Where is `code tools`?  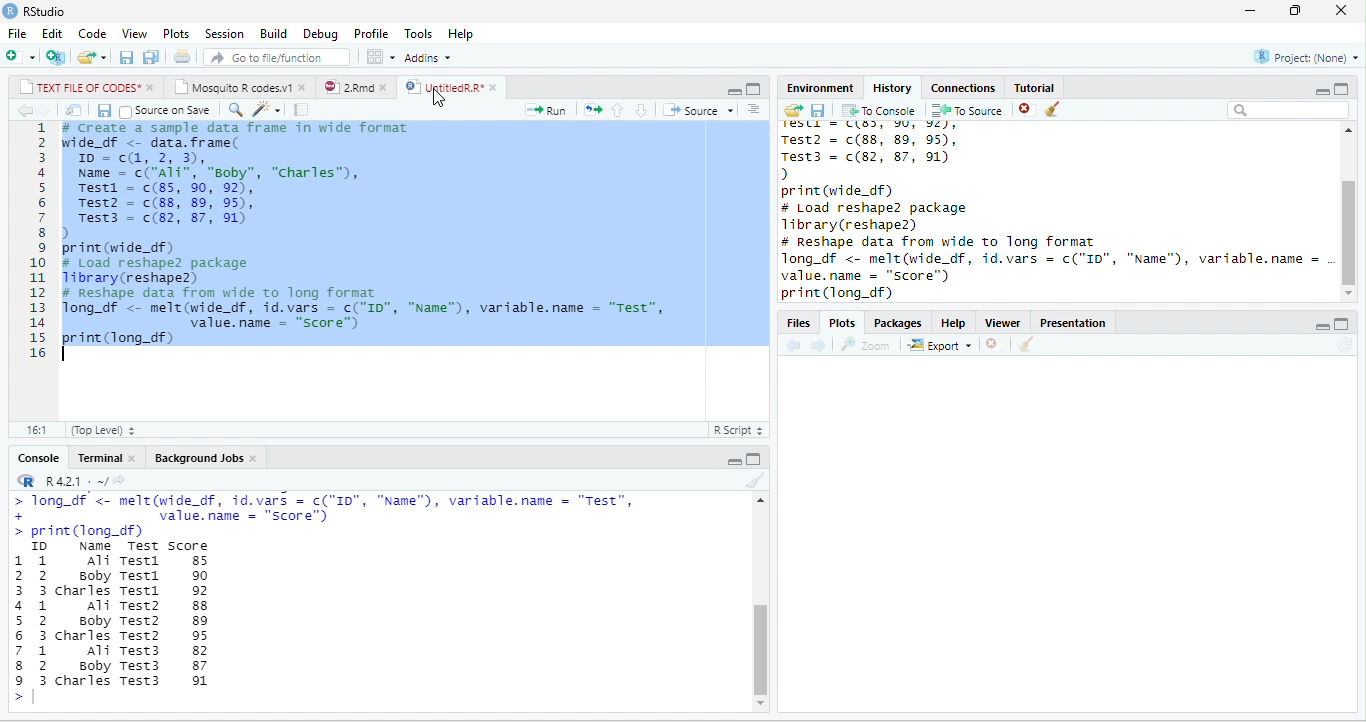 code tools is located at coordinates (267, 109).